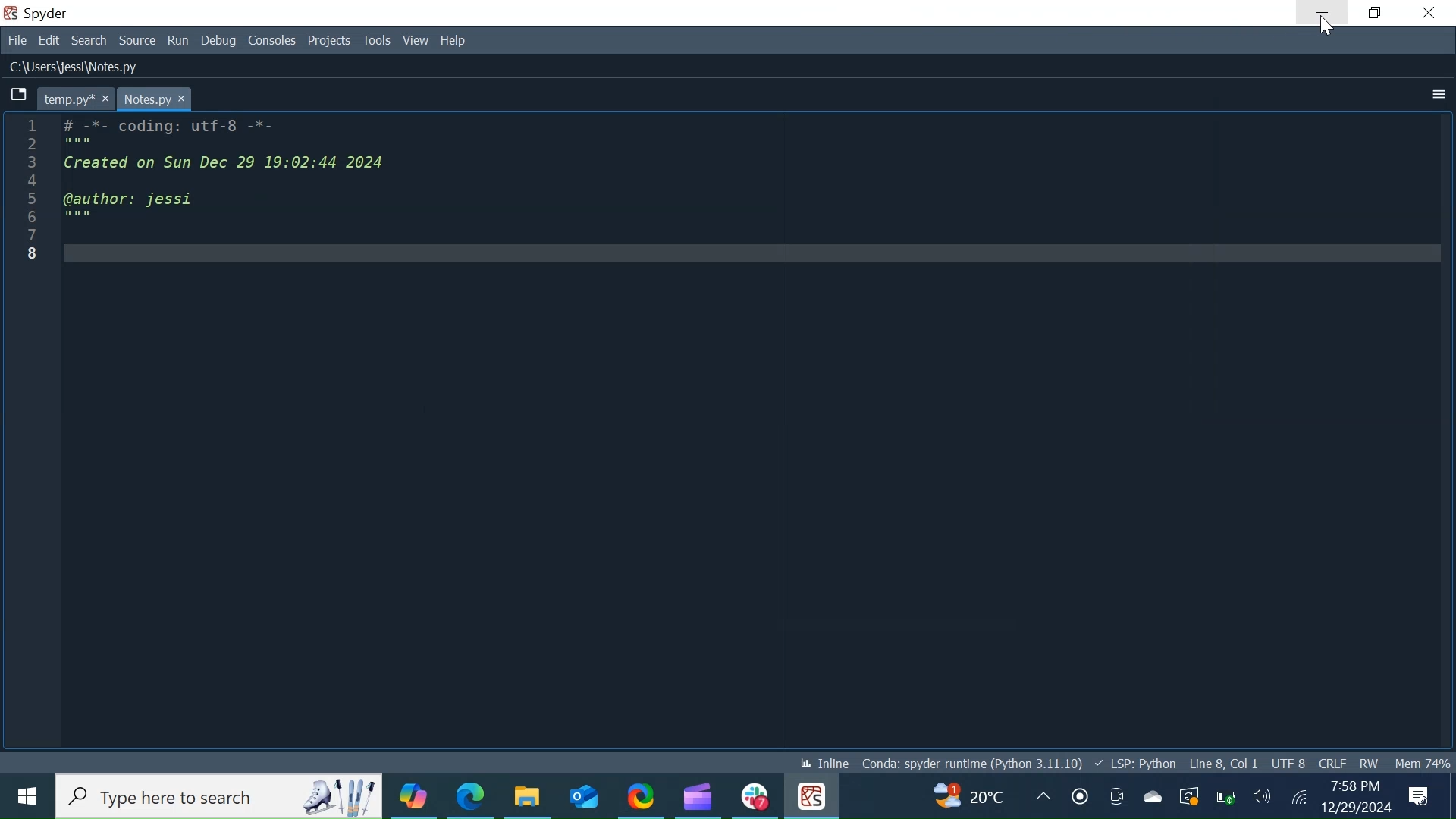 This screenshot has height=819, width=1456. What do you see at coordinates (1134, 763) in the screenshot?
I see `Language` at bounding box center [1134, 763].